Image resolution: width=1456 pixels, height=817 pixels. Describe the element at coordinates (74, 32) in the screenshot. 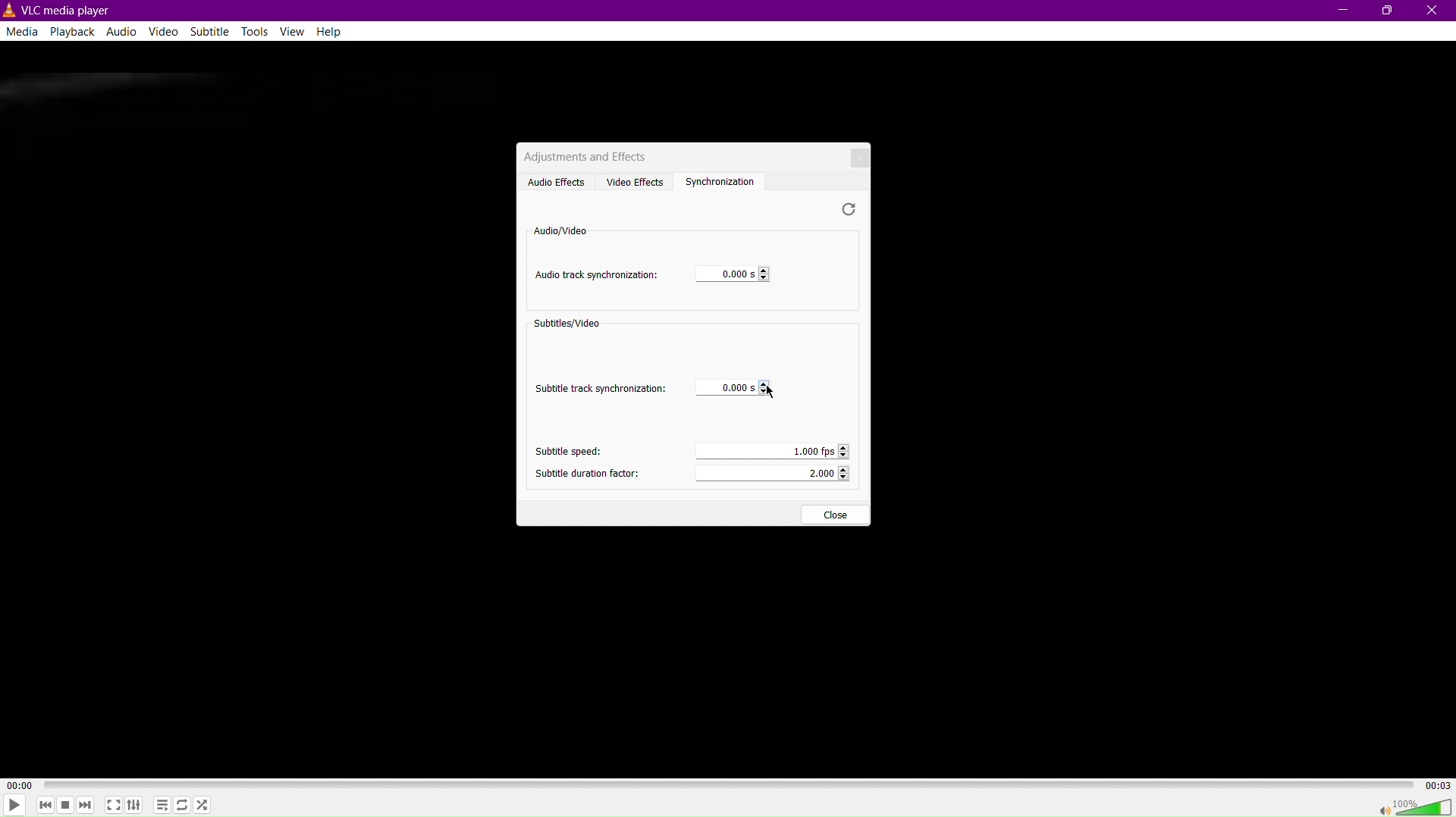

I see `Playback` at that location.